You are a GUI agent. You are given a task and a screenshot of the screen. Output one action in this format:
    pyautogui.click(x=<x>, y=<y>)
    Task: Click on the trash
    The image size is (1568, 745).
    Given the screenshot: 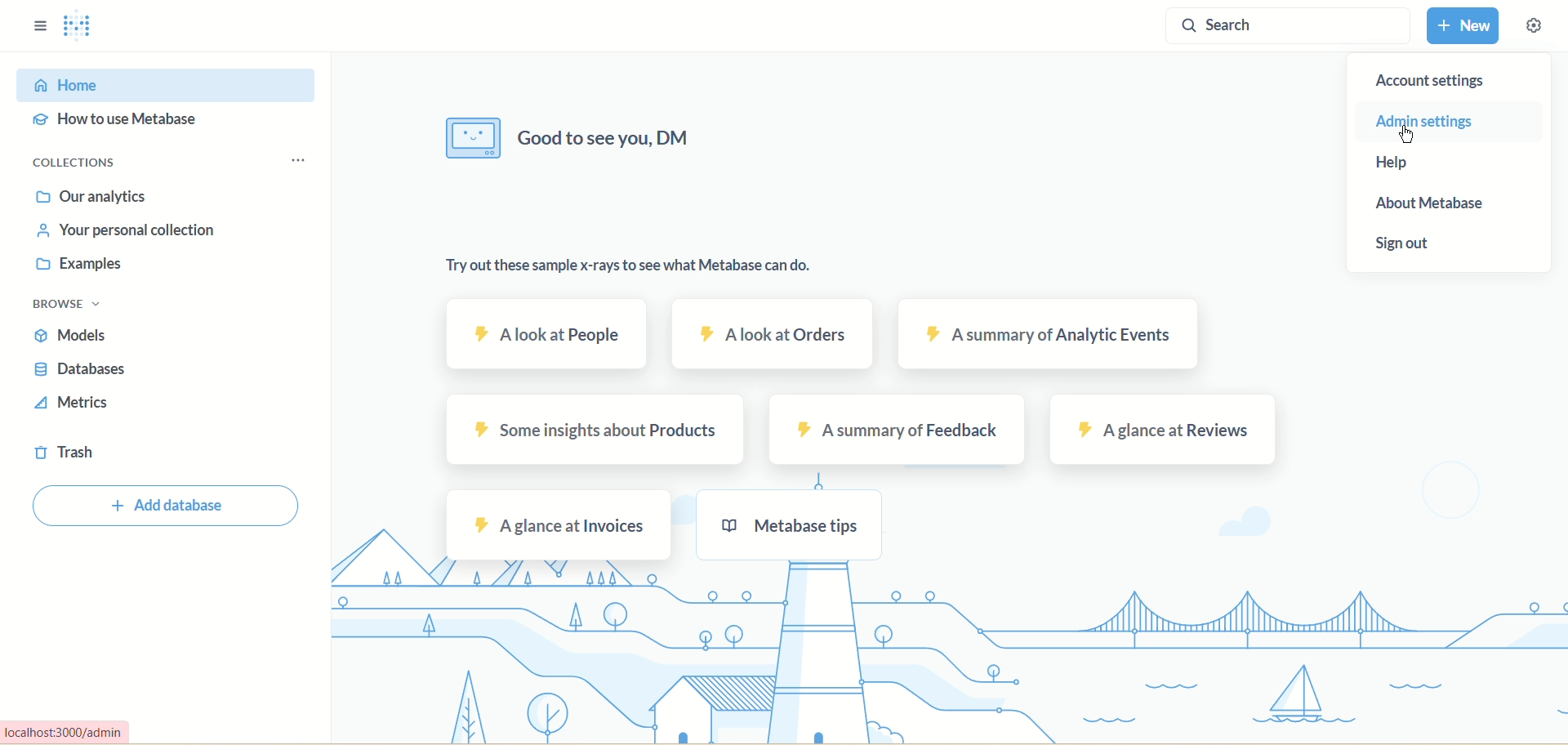 What is the action you would take?
    pyautogui.click(x=69, y=453)
    